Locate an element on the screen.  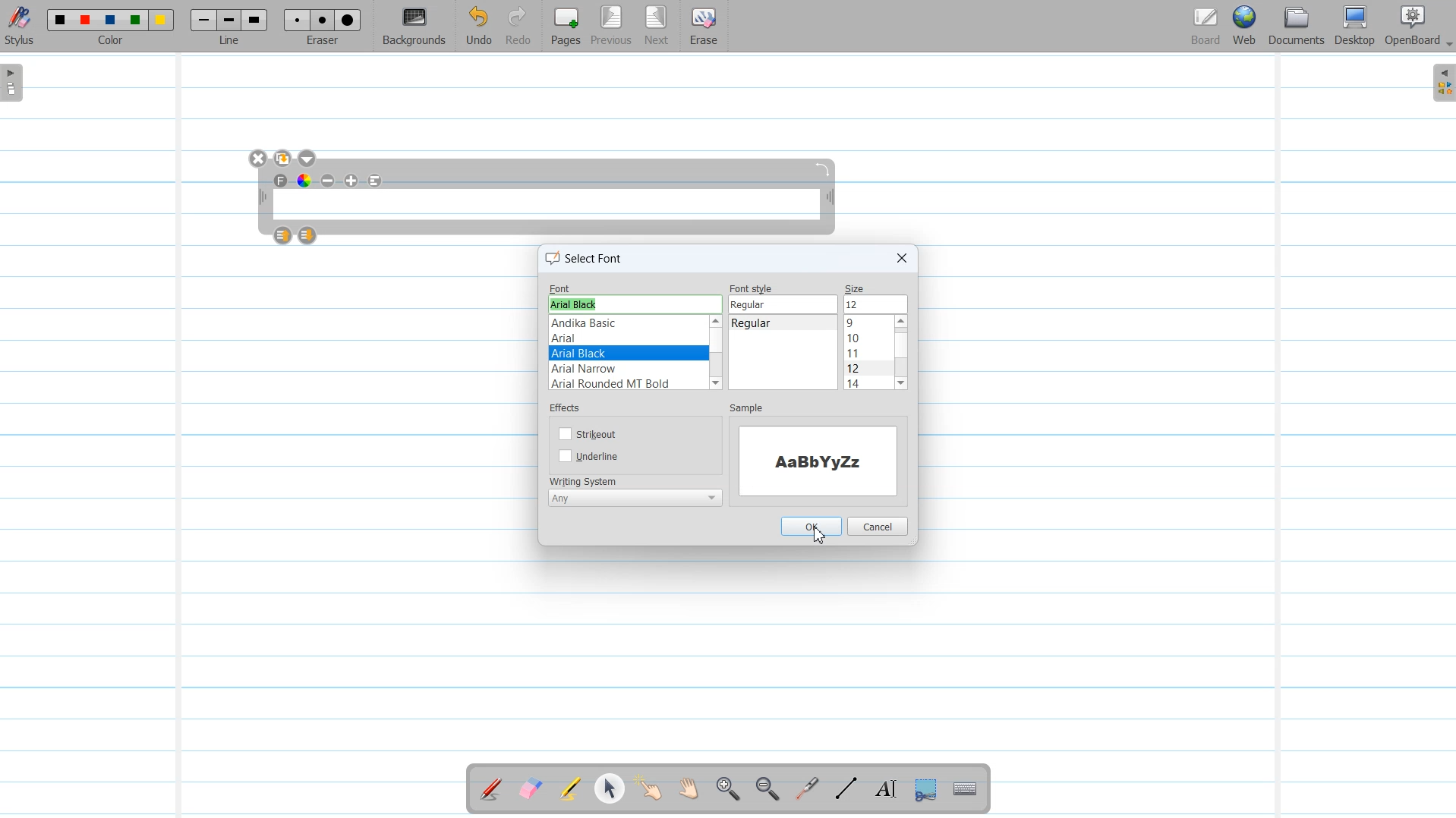
Capture part of the screen is located at coordinates (924, 790).